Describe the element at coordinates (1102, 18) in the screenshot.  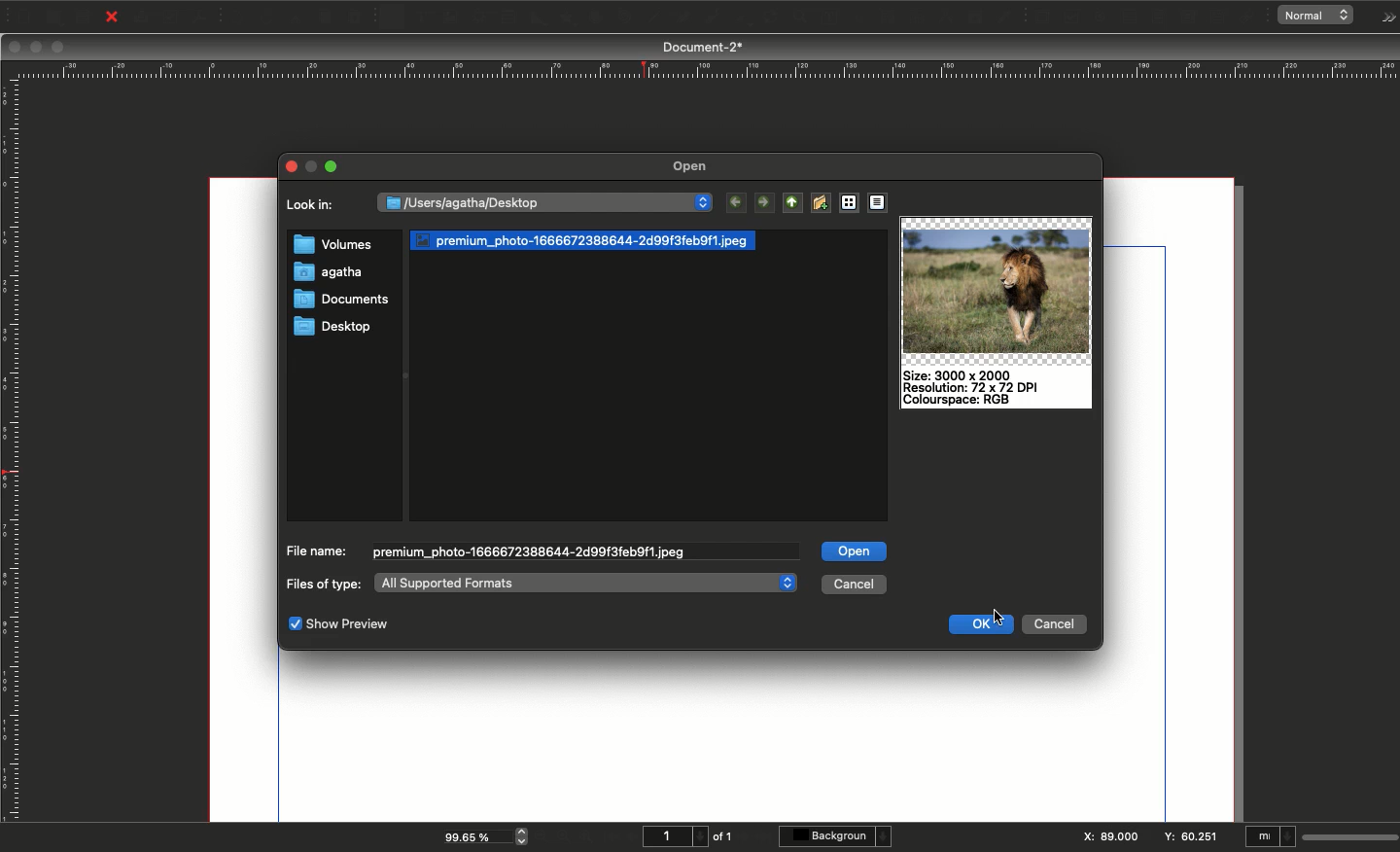
I see `PDF radio button` at that location.